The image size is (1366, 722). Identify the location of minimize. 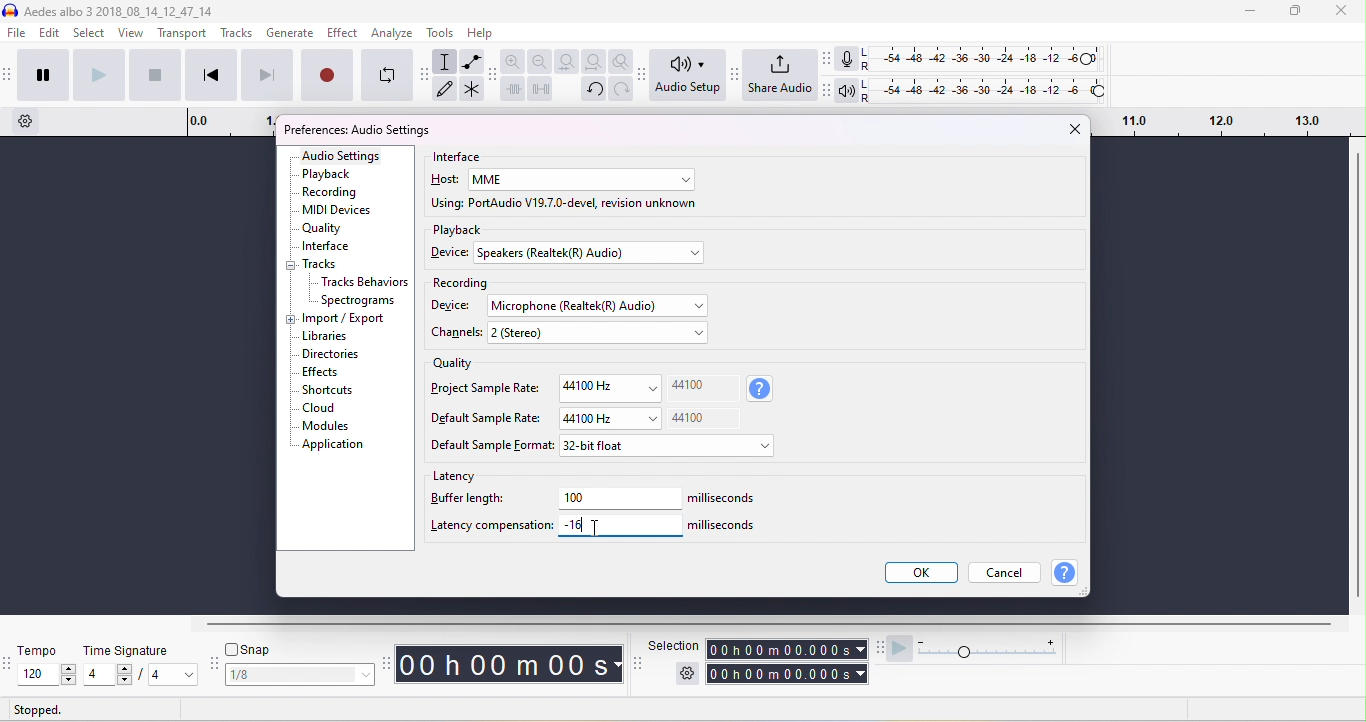
(1247, 12).